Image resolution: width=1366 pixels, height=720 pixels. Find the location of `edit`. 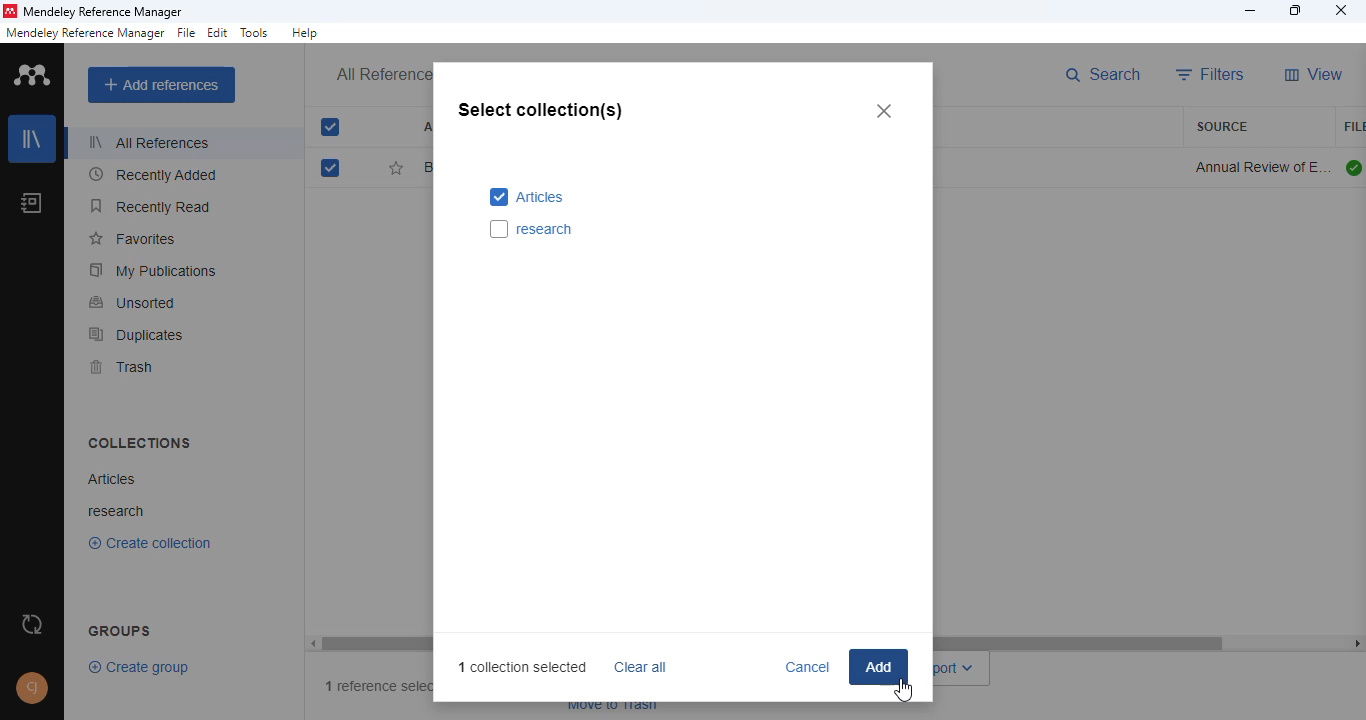

edit is located at coordinates (216, 32).